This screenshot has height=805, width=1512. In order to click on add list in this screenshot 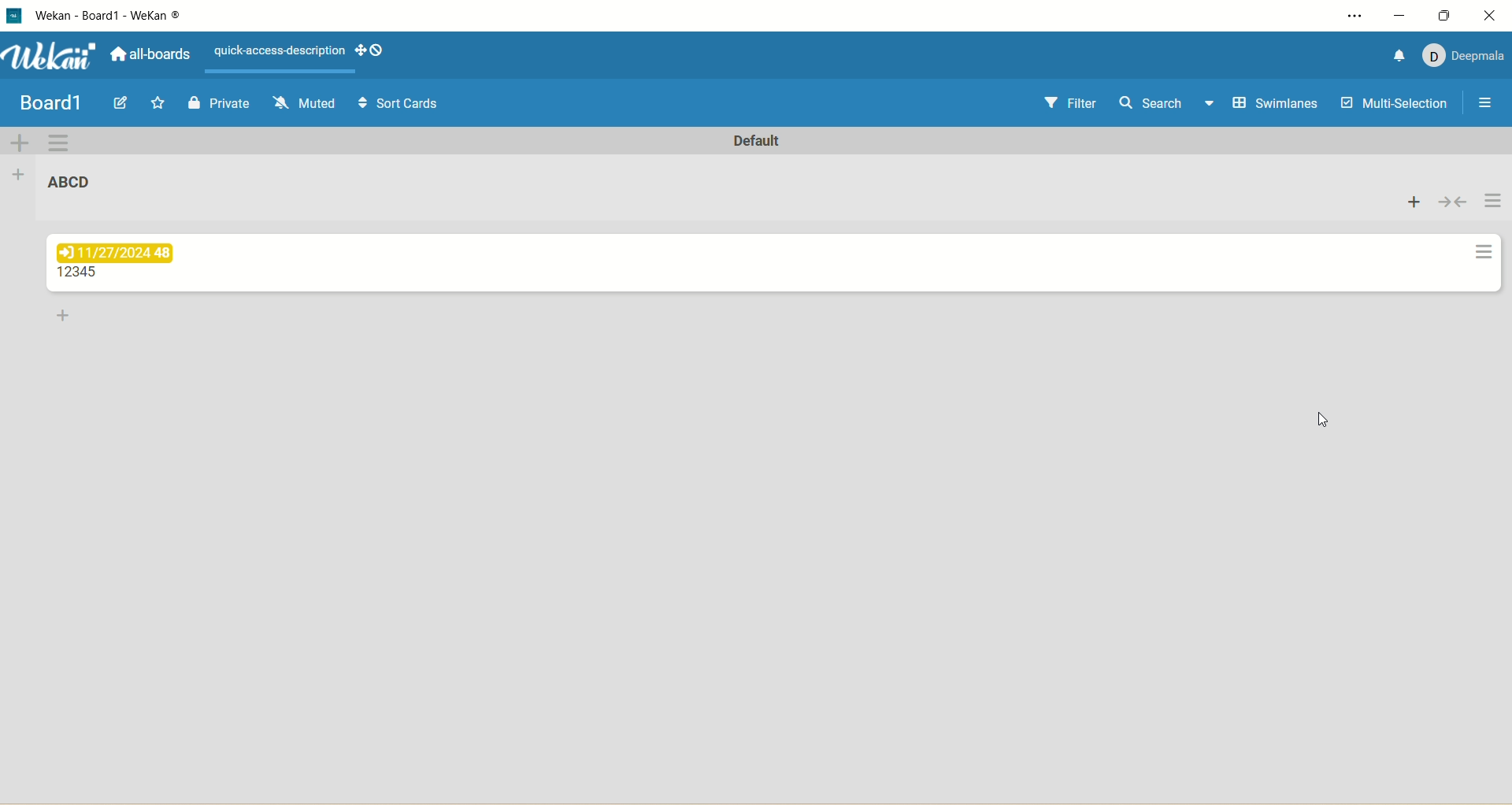, I will do `click(21, 178)`.